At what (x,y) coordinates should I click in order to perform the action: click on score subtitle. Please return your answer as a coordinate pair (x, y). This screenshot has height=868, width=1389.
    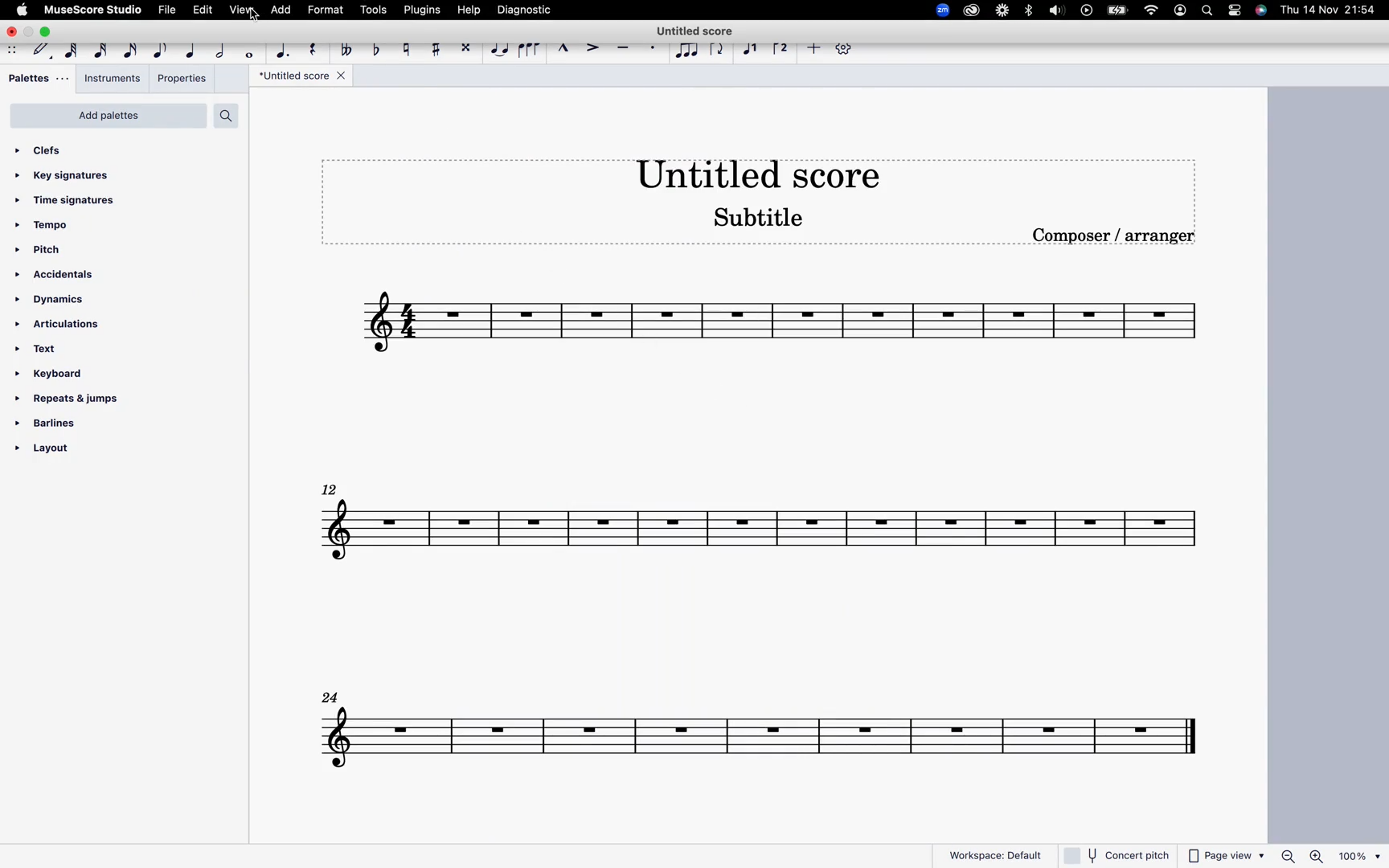
    Looking at the image, I should click on (754, 219).